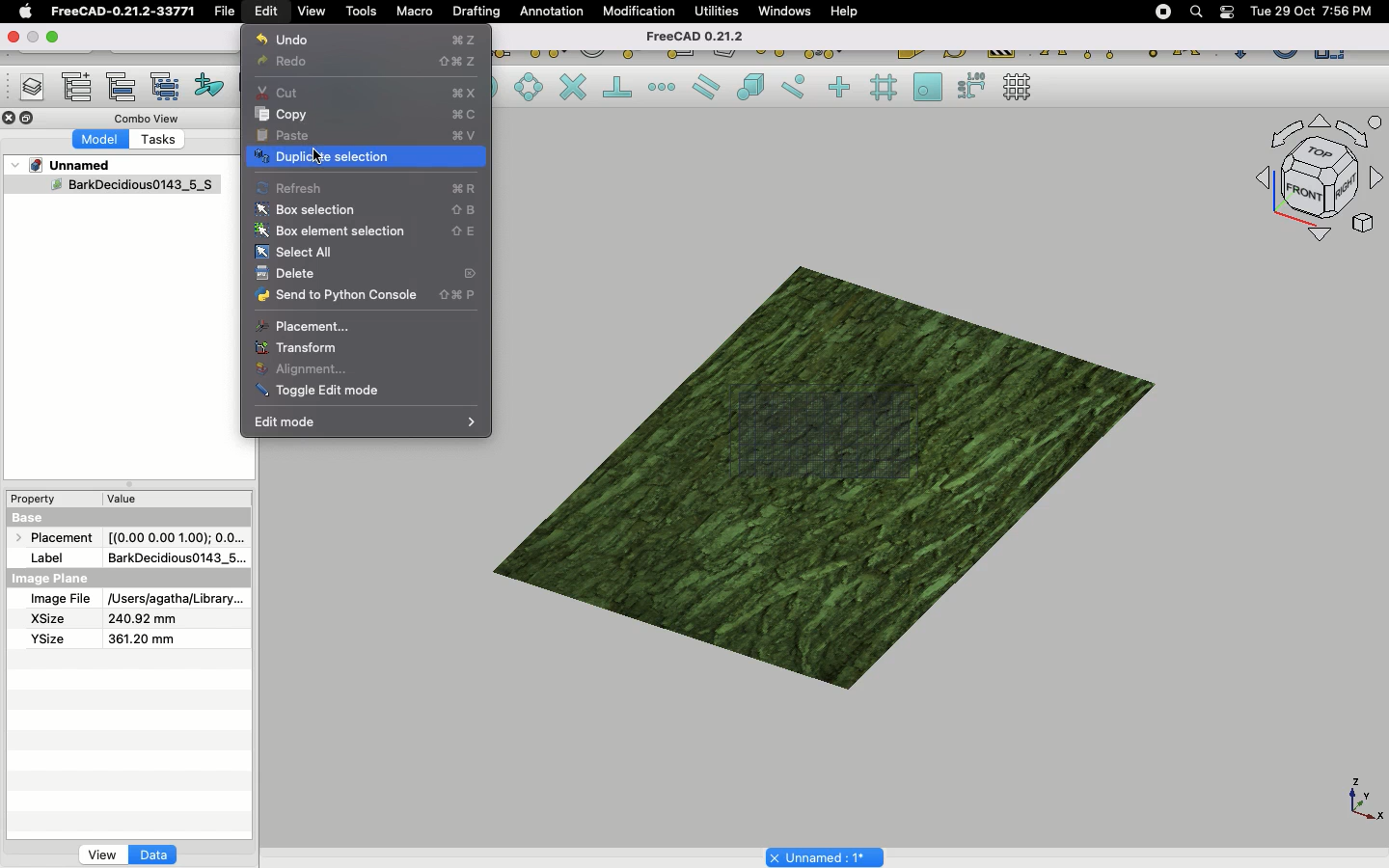 The height and width of the screenshot is (868, 1389). I want to click on Transform, so click(297, 347).